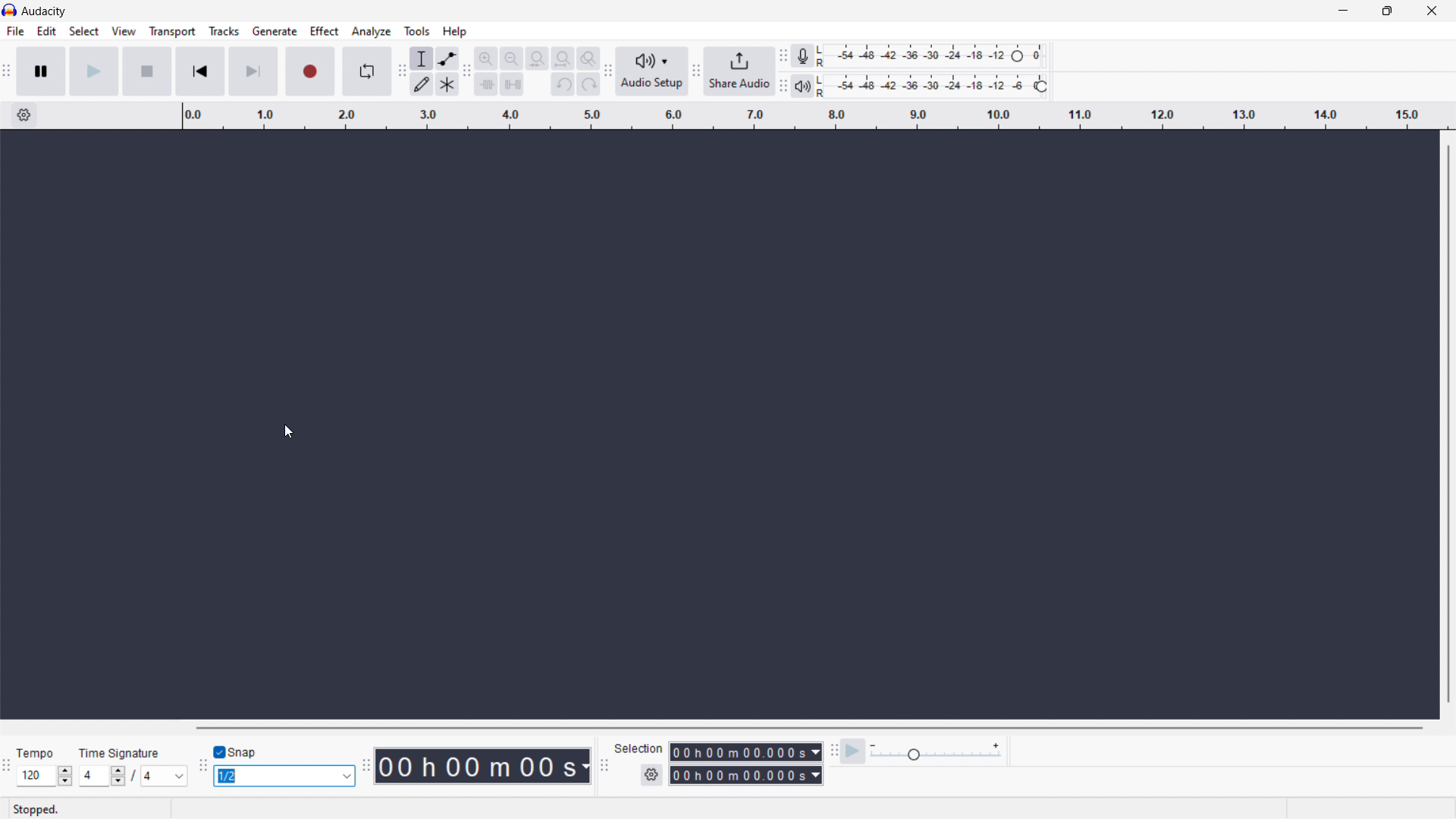 This screenshot has height=819, width=1456. What do you see at coordinates (284, 777) in the screenshot?
I see `snap = 1/2 selected` at bounding box center [284, 777].